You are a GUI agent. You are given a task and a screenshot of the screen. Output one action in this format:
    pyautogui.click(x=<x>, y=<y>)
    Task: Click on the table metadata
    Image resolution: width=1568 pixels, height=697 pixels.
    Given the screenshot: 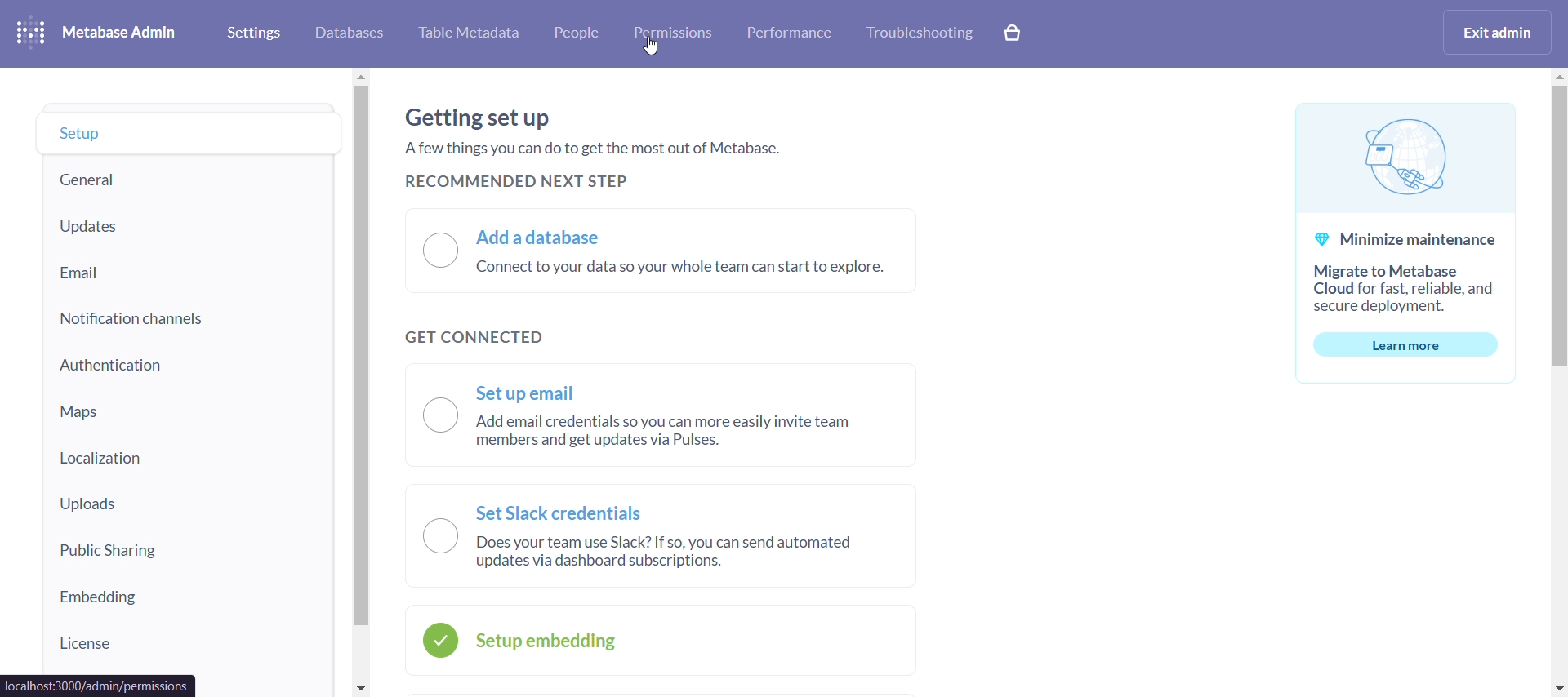 What is the action you would take?
    pyautogui.click(x=469, y=35)
    